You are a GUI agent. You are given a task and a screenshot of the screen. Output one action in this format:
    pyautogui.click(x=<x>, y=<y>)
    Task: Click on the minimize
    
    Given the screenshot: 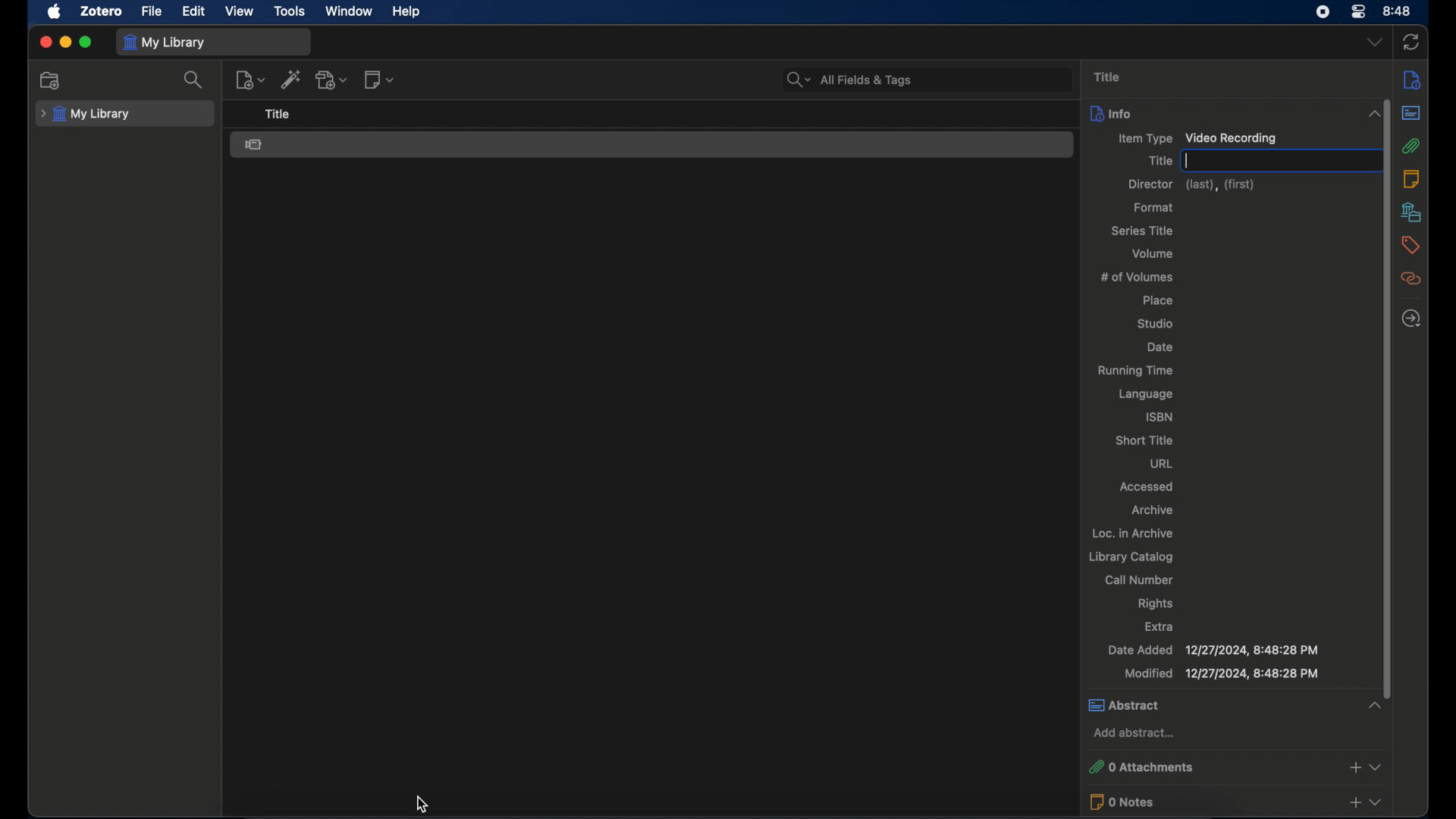 What is the action you would take?
    pyautogui.click(x=65, y=42)
    